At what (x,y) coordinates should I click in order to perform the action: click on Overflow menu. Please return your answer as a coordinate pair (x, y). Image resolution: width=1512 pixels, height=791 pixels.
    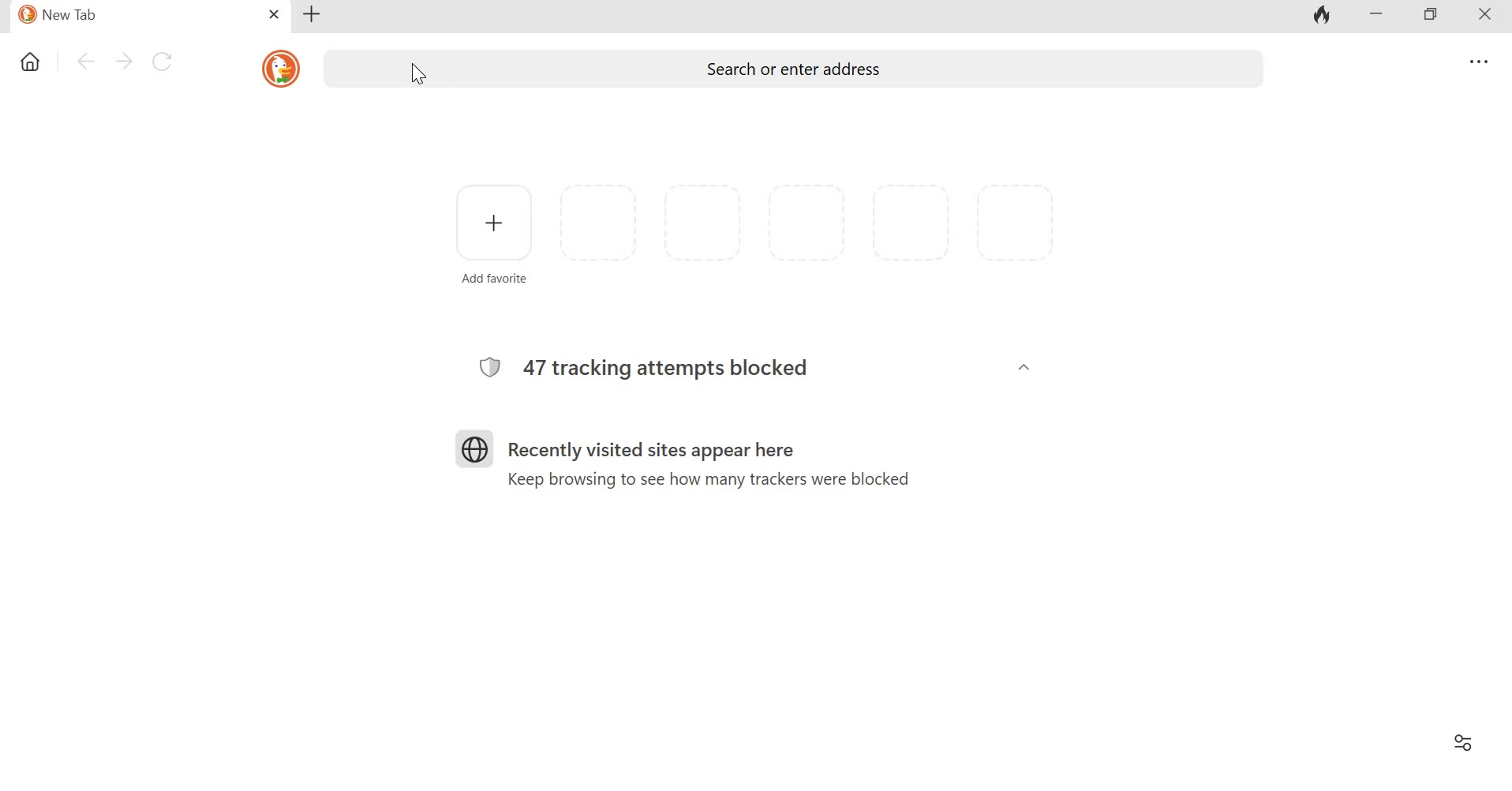
    Looking at the image, I should click on (1476, 61).